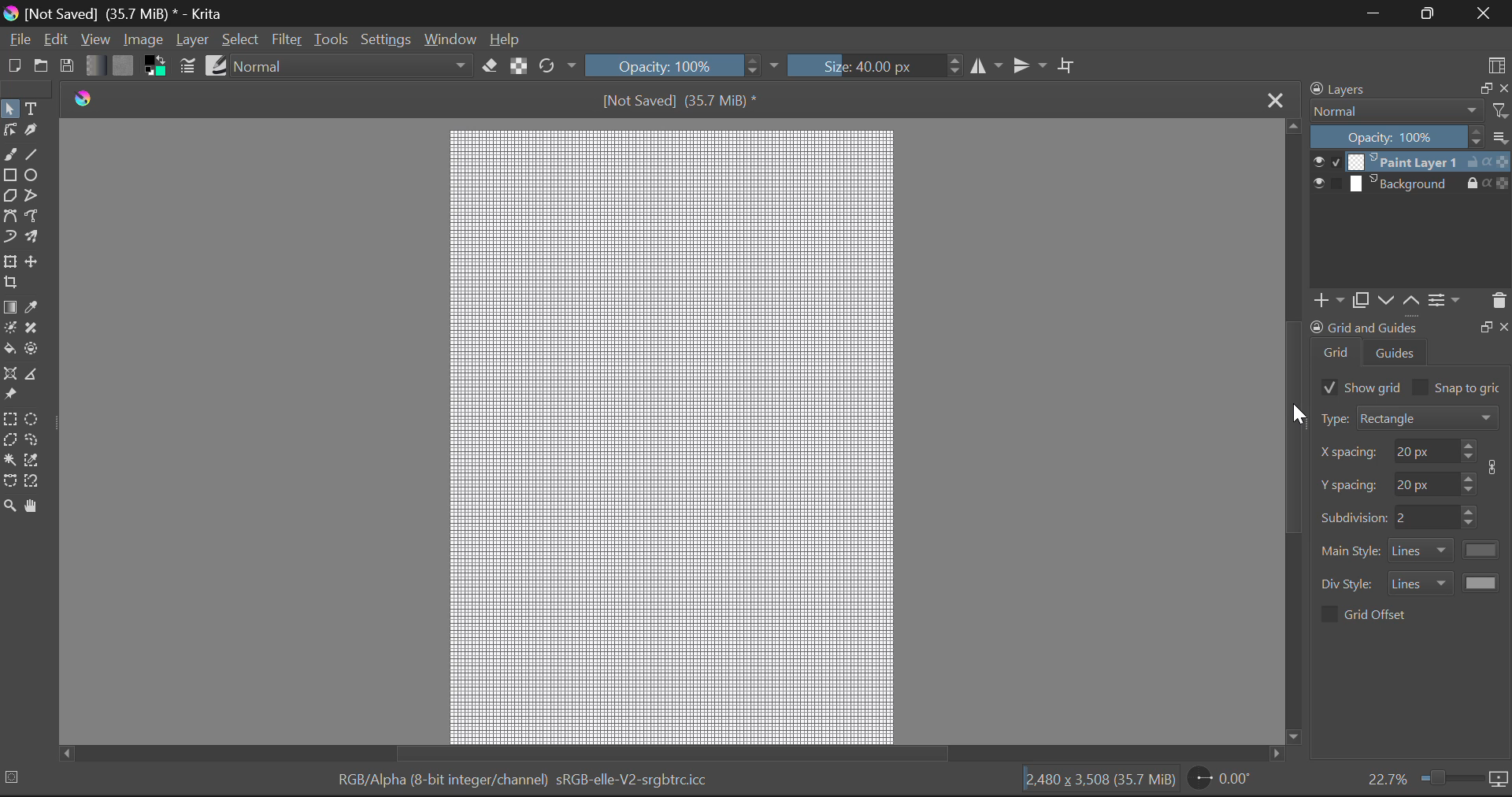 This screenshot has height=797, width=1512. What do you see at coordinates (1374, 387) in the screenshot?
I see `show grid` at bounding box center [1374, 387].